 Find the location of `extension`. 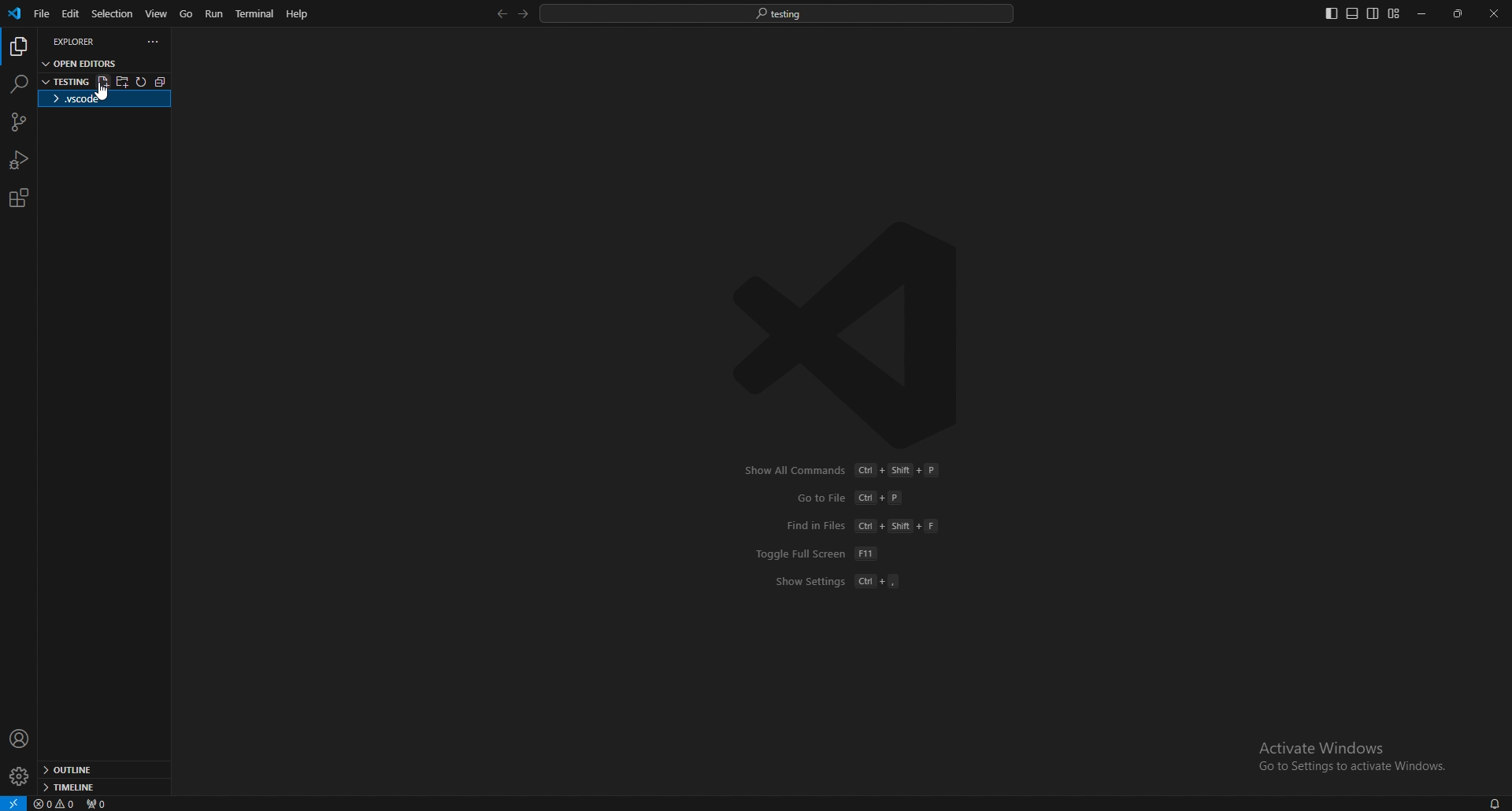

extension is located at coordinates (18, 198).